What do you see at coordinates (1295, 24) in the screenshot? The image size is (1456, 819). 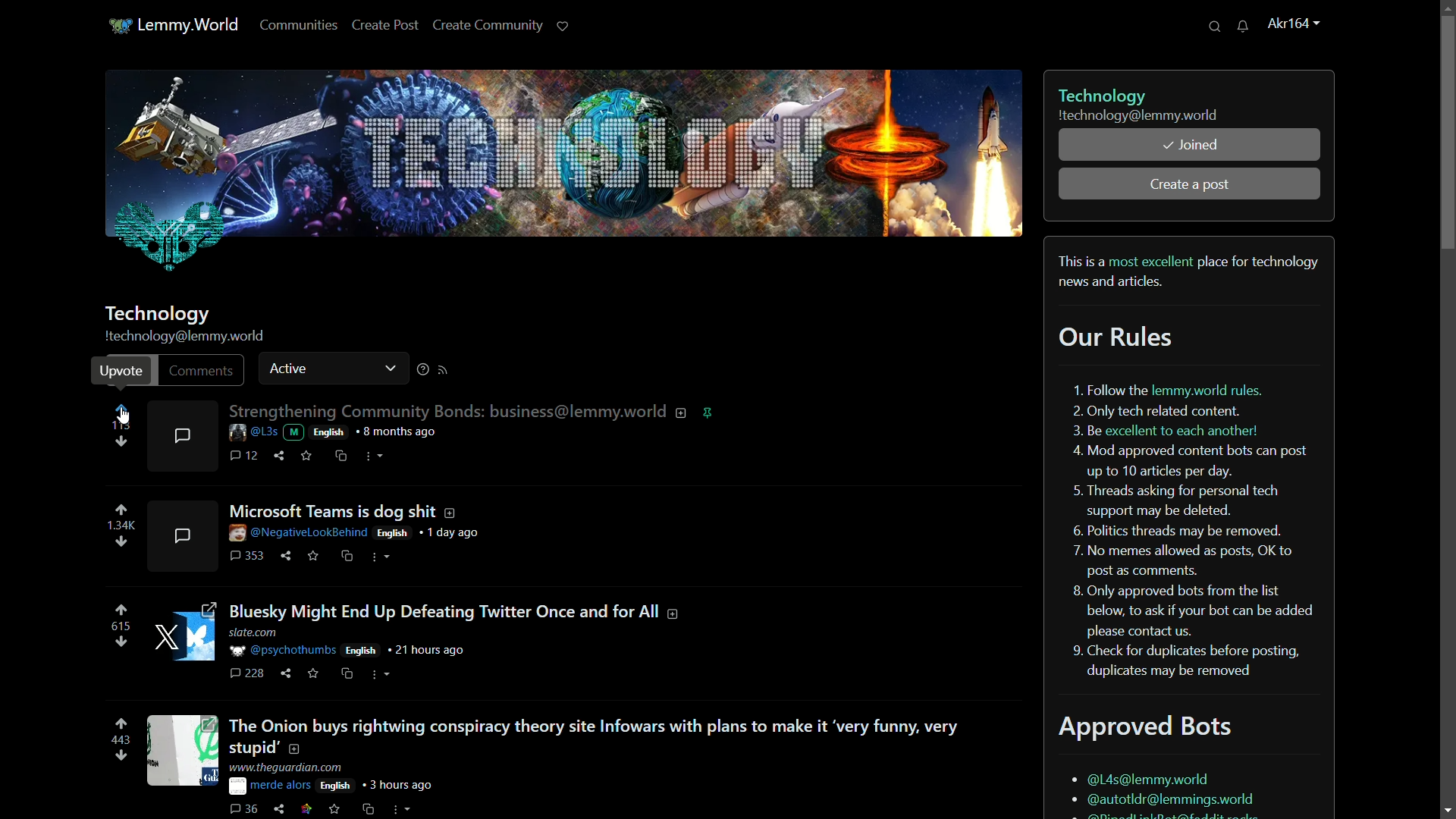 I see `username` at bounding box center [1295, 24].